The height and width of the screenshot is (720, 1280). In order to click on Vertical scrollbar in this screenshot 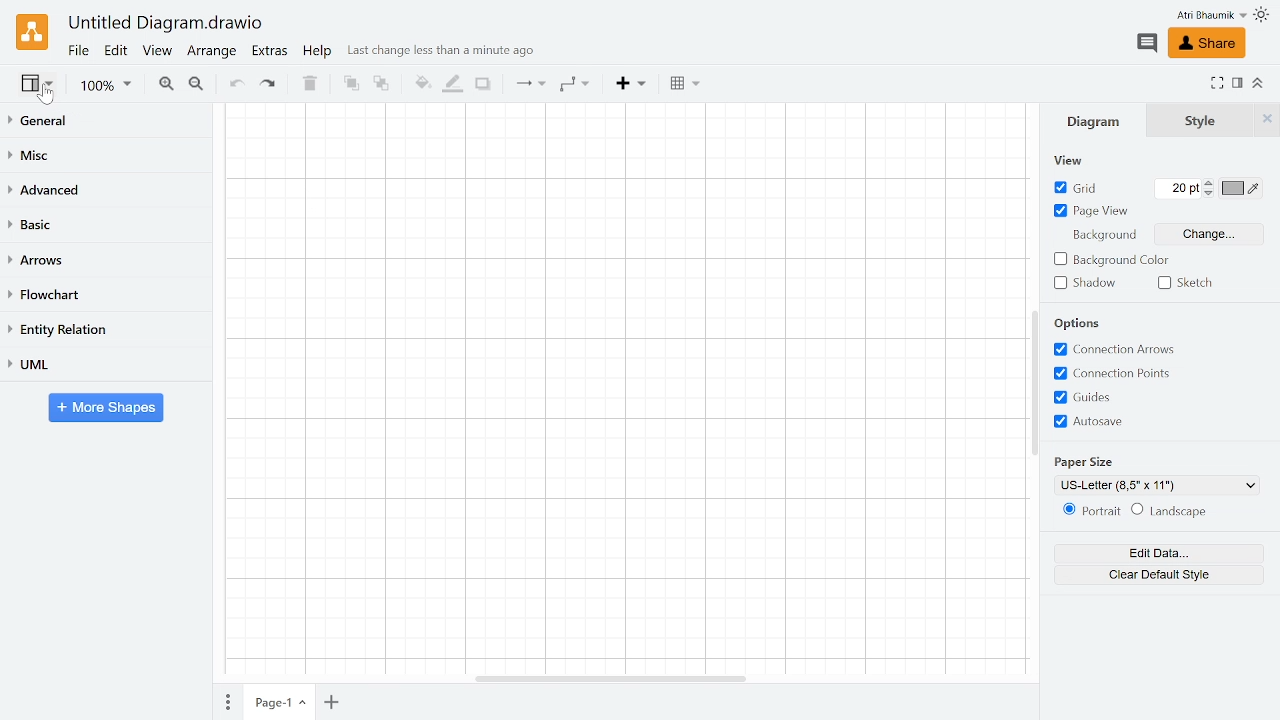, I will do `click(1034, 382)`.